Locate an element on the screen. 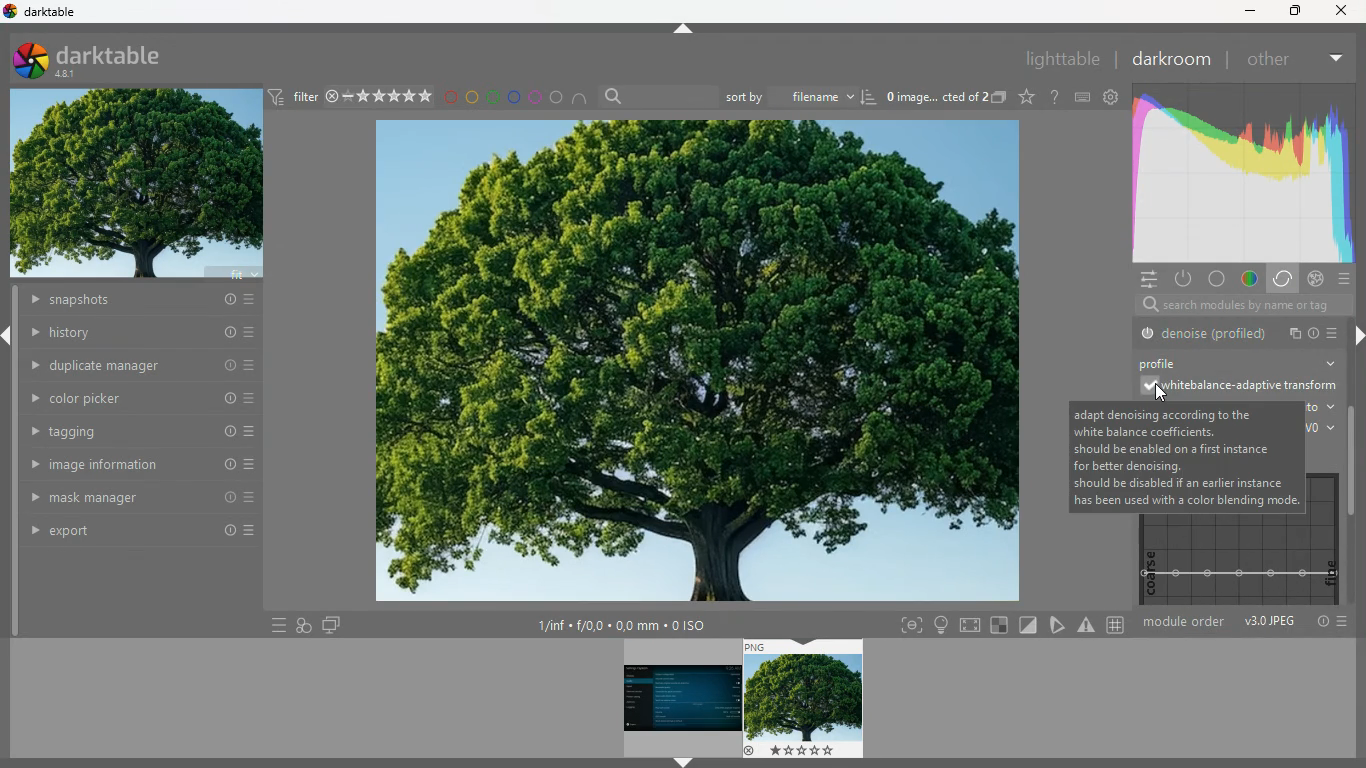 The image size is (1366, 768). color picker is located at coordinates (132, 397).